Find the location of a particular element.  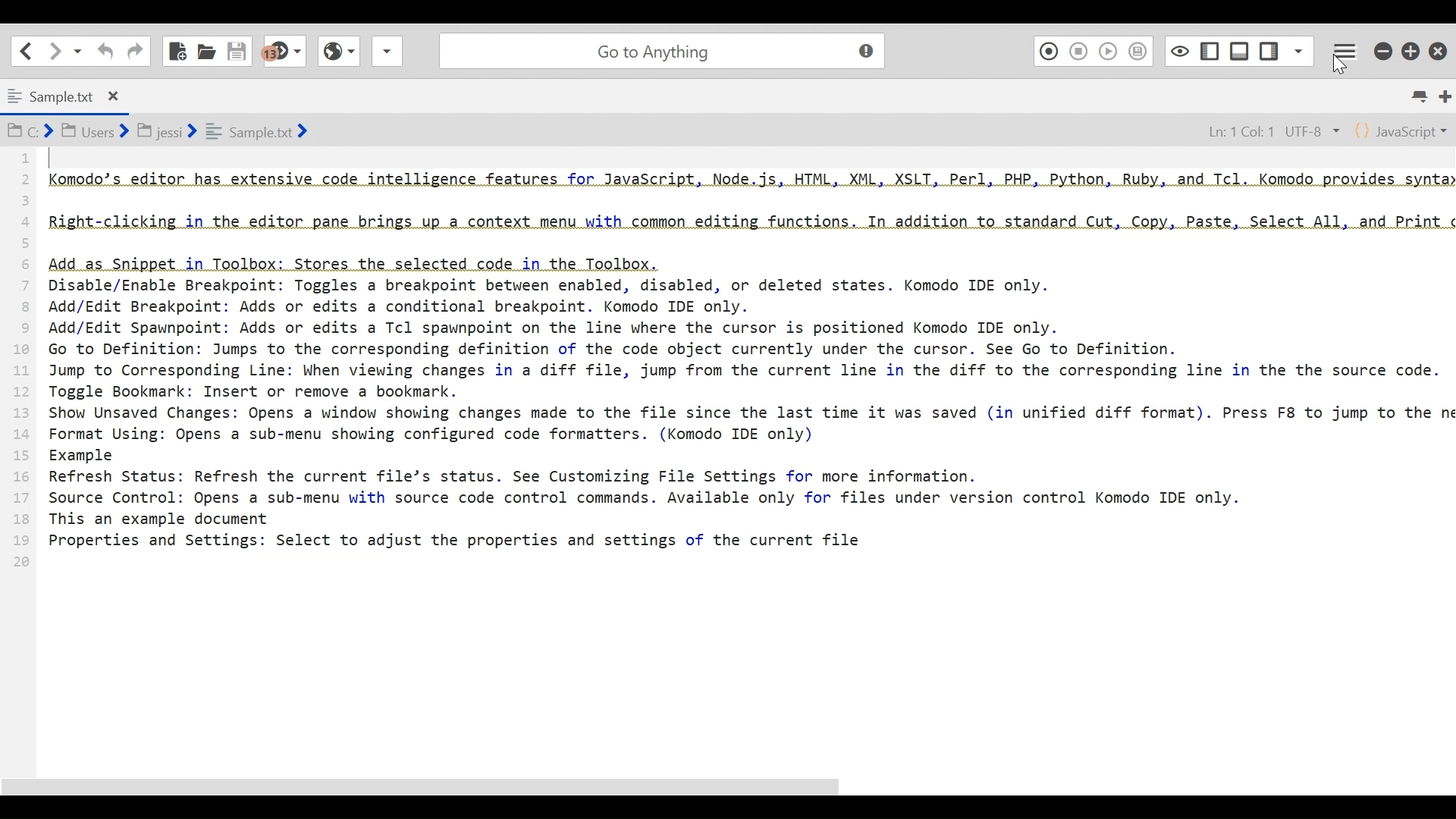

Play Last Macro is located at coordinates (1108, 50).